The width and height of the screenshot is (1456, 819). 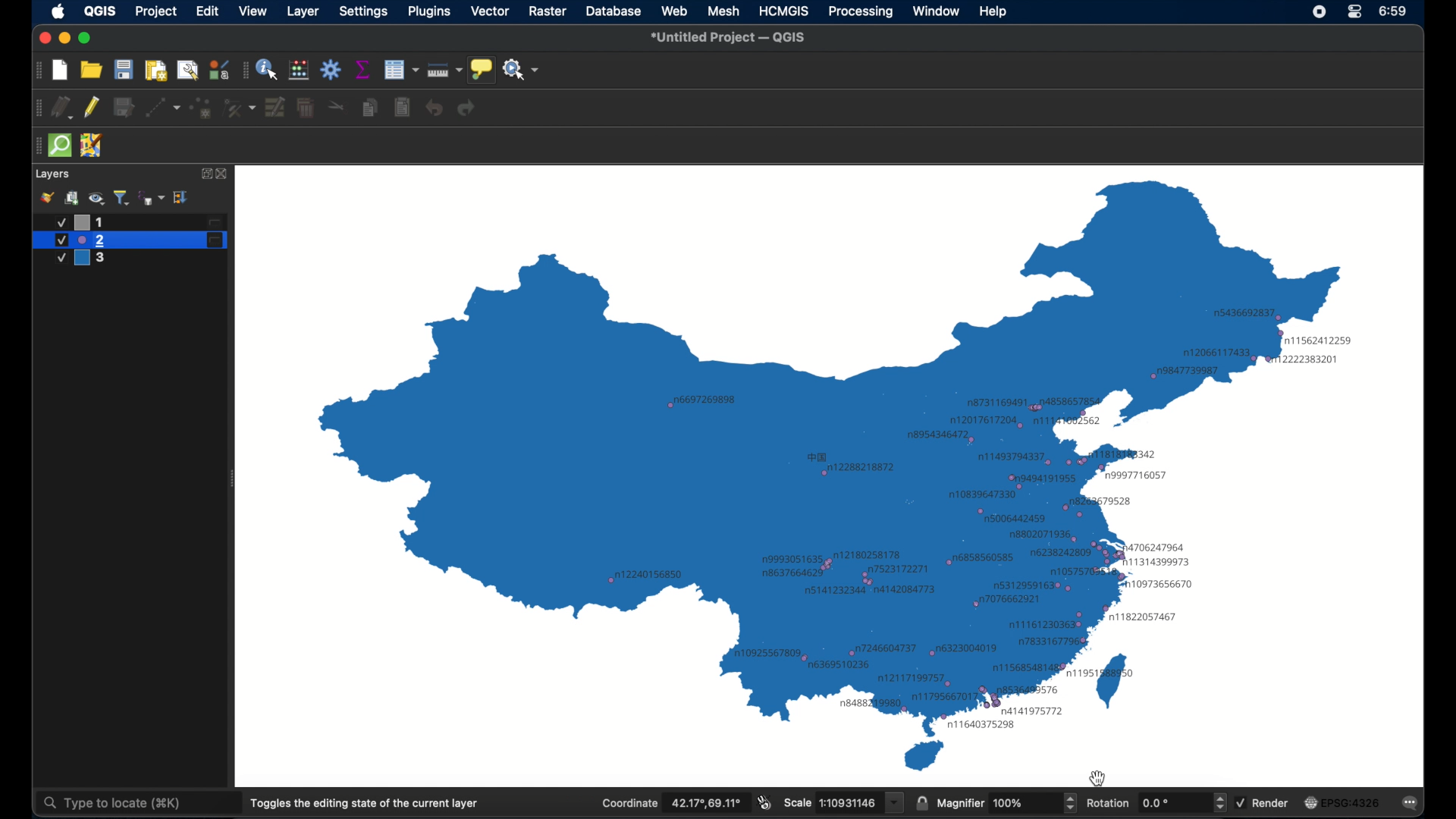 What do you see at coordinates (275, 107) in the screenshot?
I see `modify attributes` at bounding box center [275, 107].